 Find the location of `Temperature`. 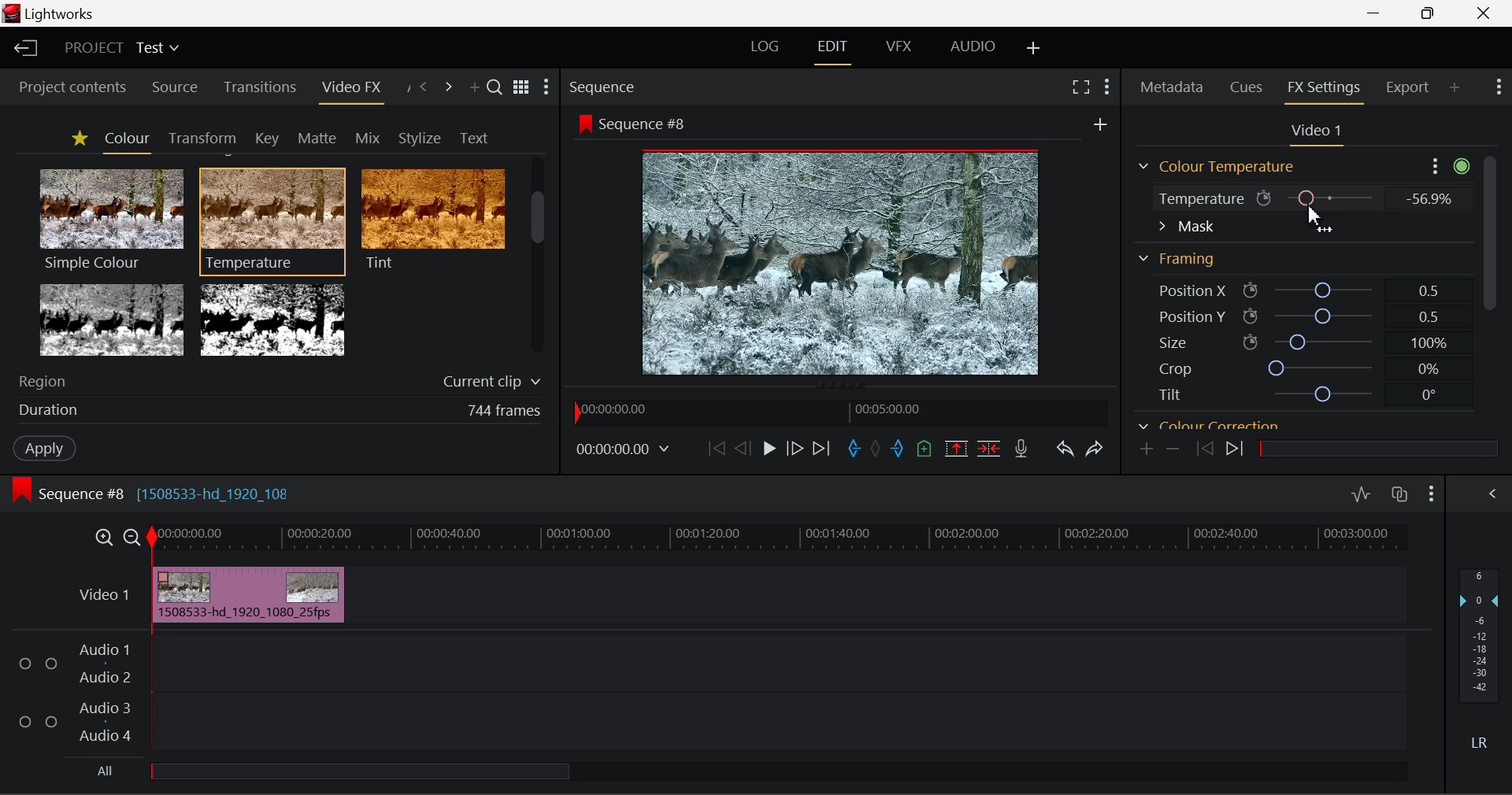

Temperature is located at coordinates (1197, 201).